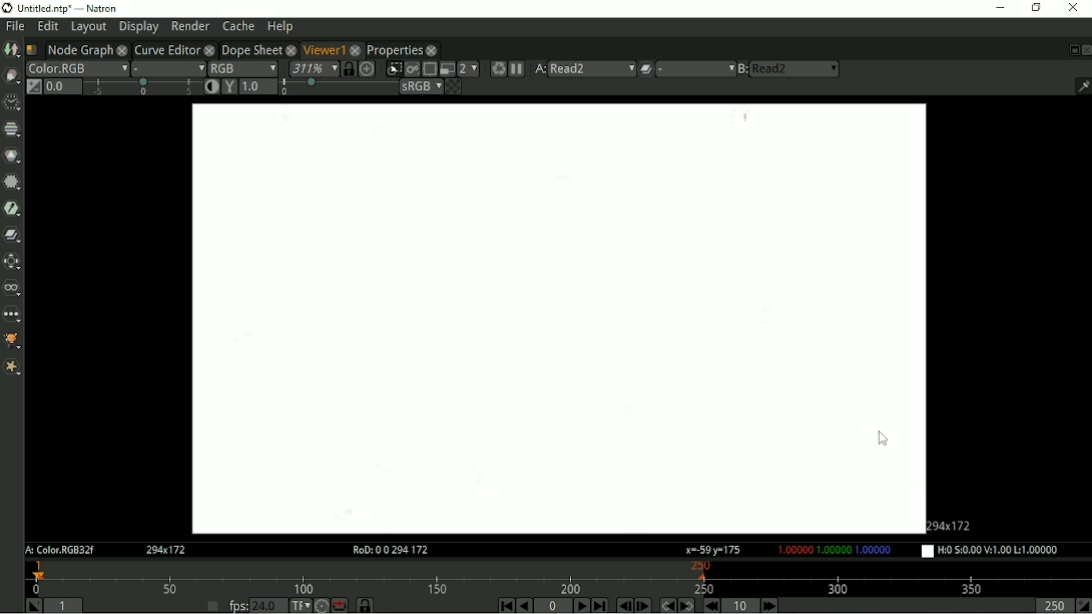 Image resolution: width=1092 pixels, height=614 pixels. I want to click on Display, so click(138, 28).